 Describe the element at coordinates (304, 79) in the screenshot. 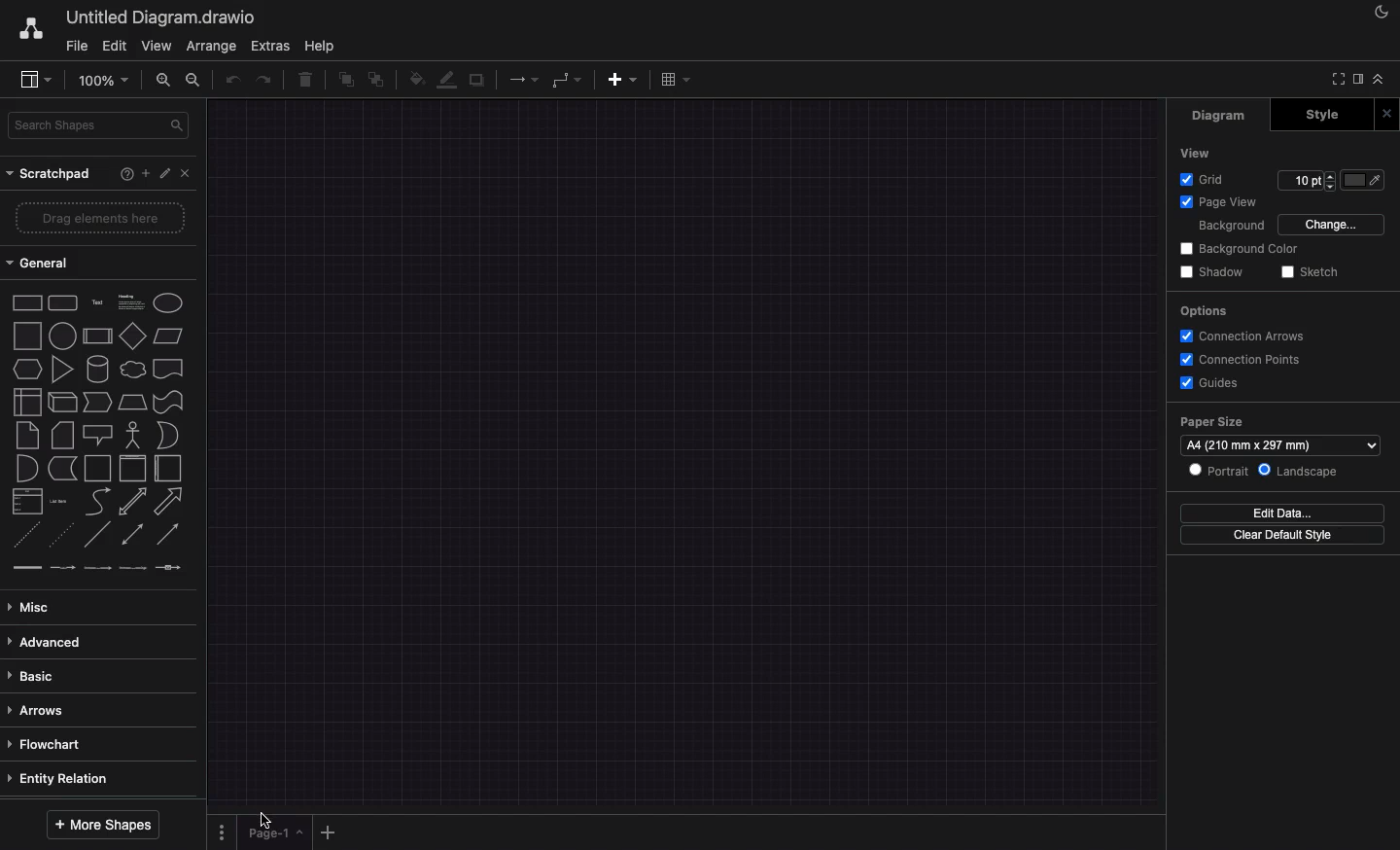

I see `delete` at that location.